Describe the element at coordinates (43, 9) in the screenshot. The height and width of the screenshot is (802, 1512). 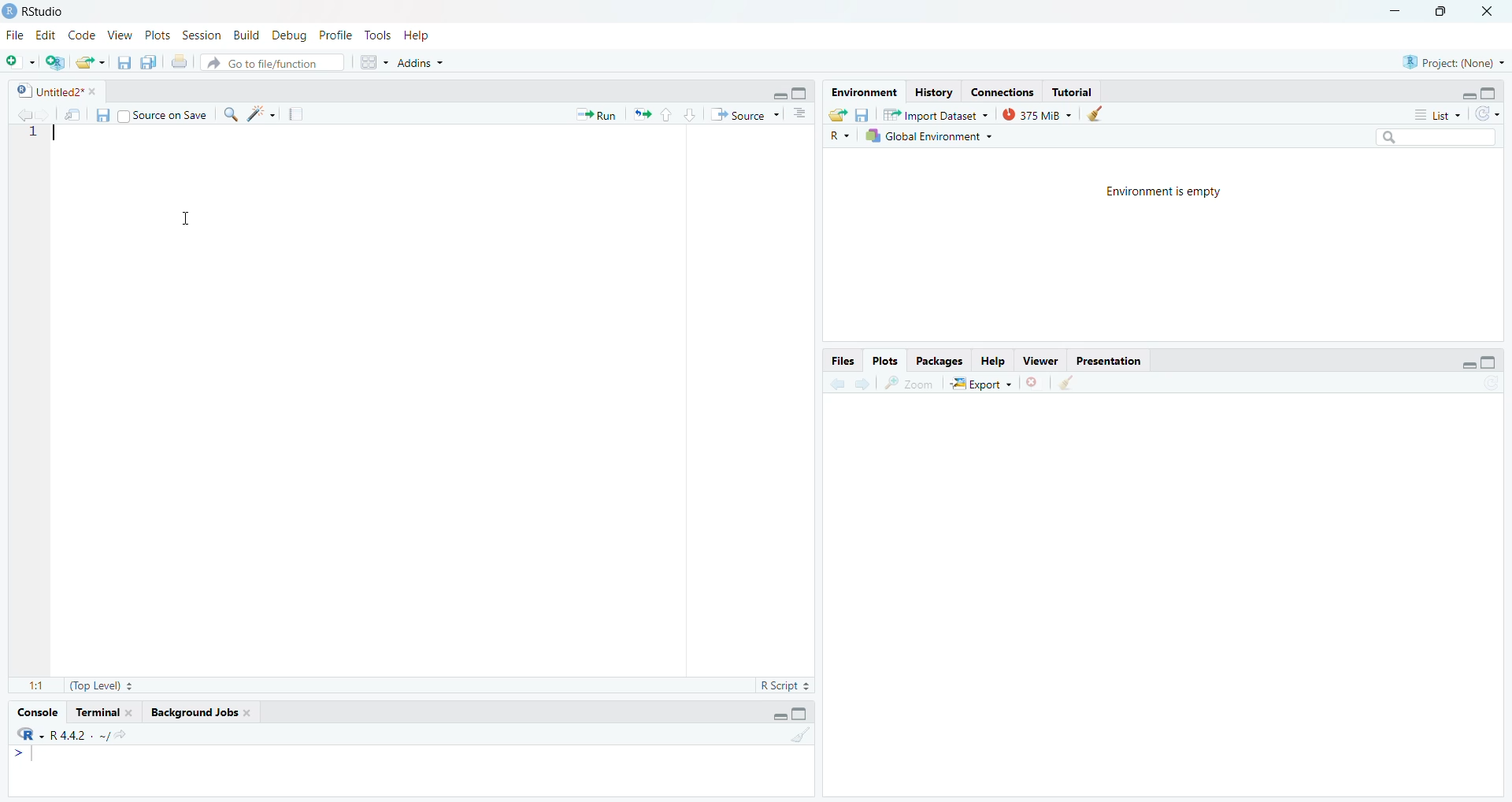
I see ` RStudio` at that location.